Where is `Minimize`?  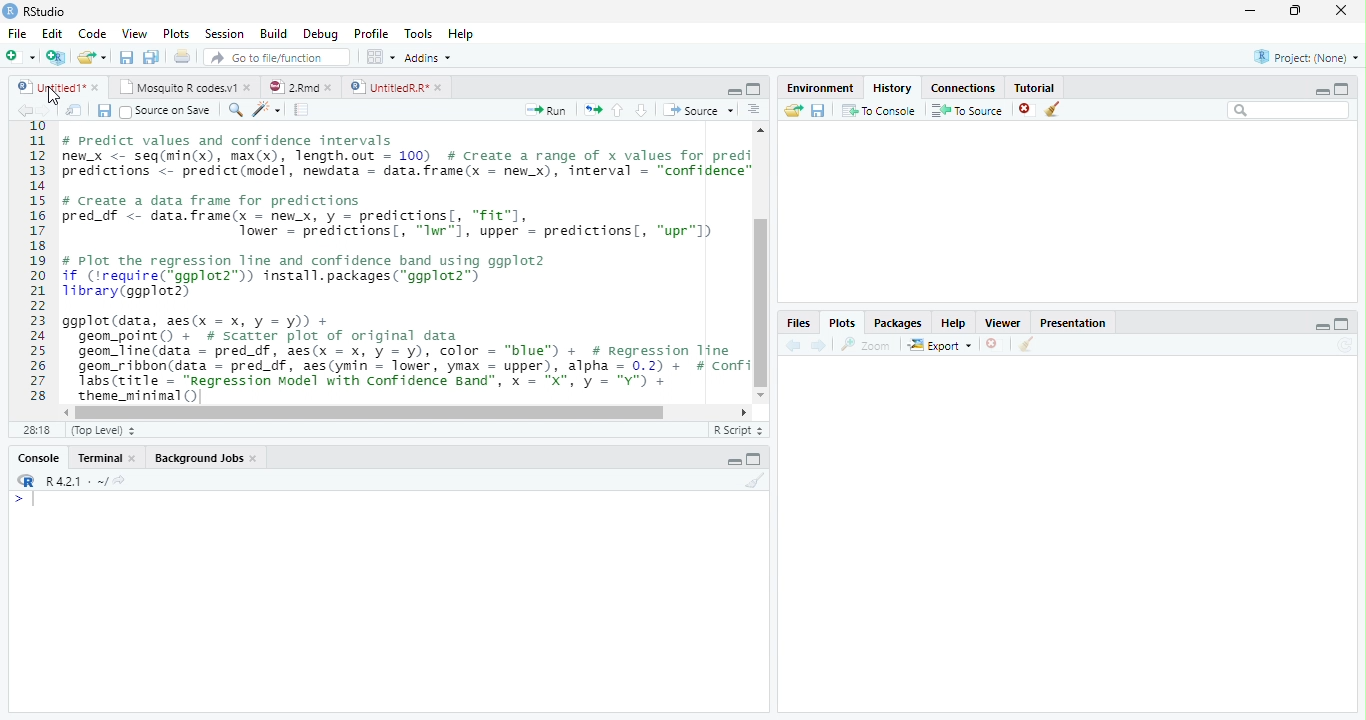
Minimize is located at coordinates (1321, 93).